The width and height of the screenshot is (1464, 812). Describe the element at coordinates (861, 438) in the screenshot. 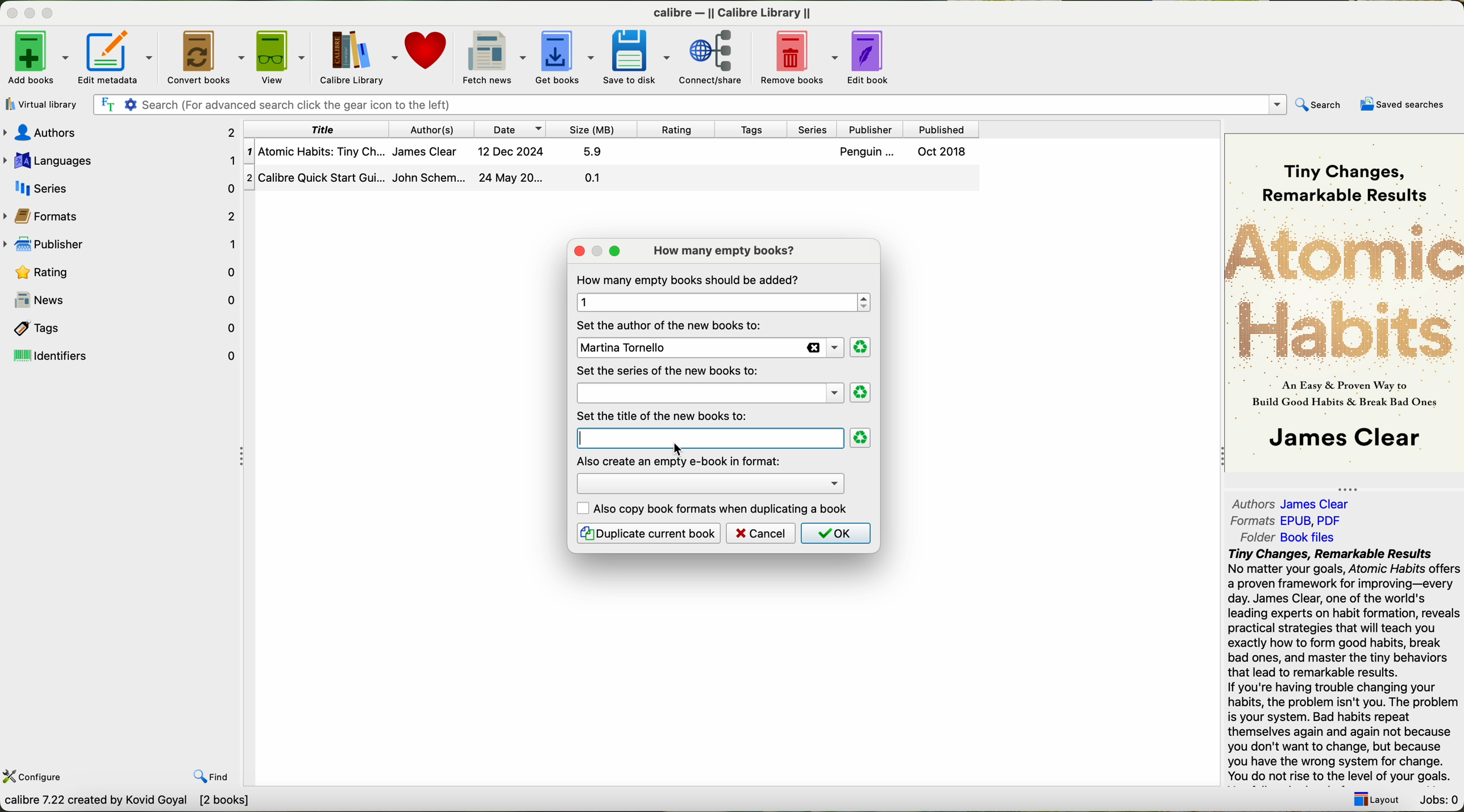

I see `clear` at that location.